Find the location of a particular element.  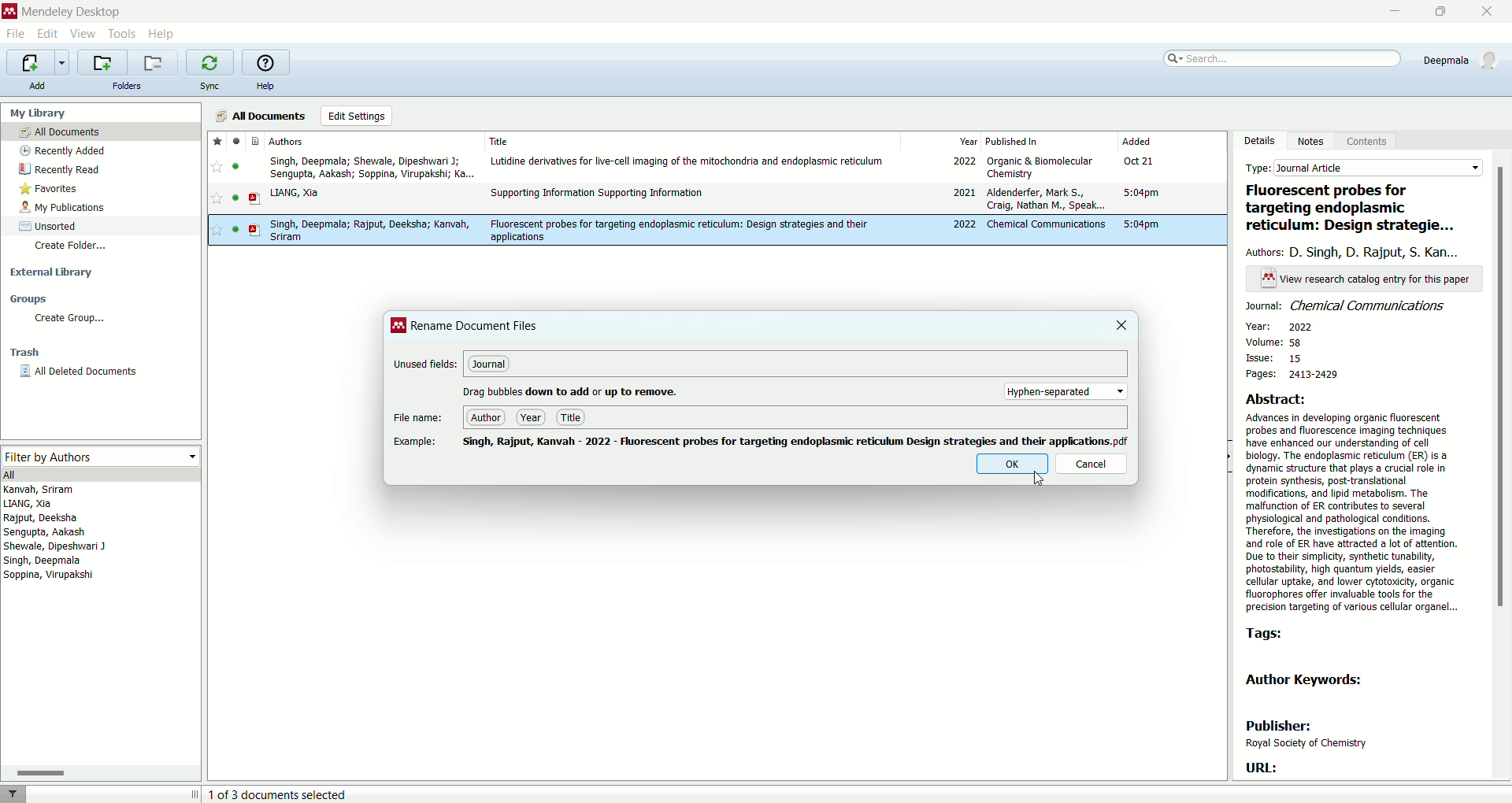

document is located at coordinates (254, 198).